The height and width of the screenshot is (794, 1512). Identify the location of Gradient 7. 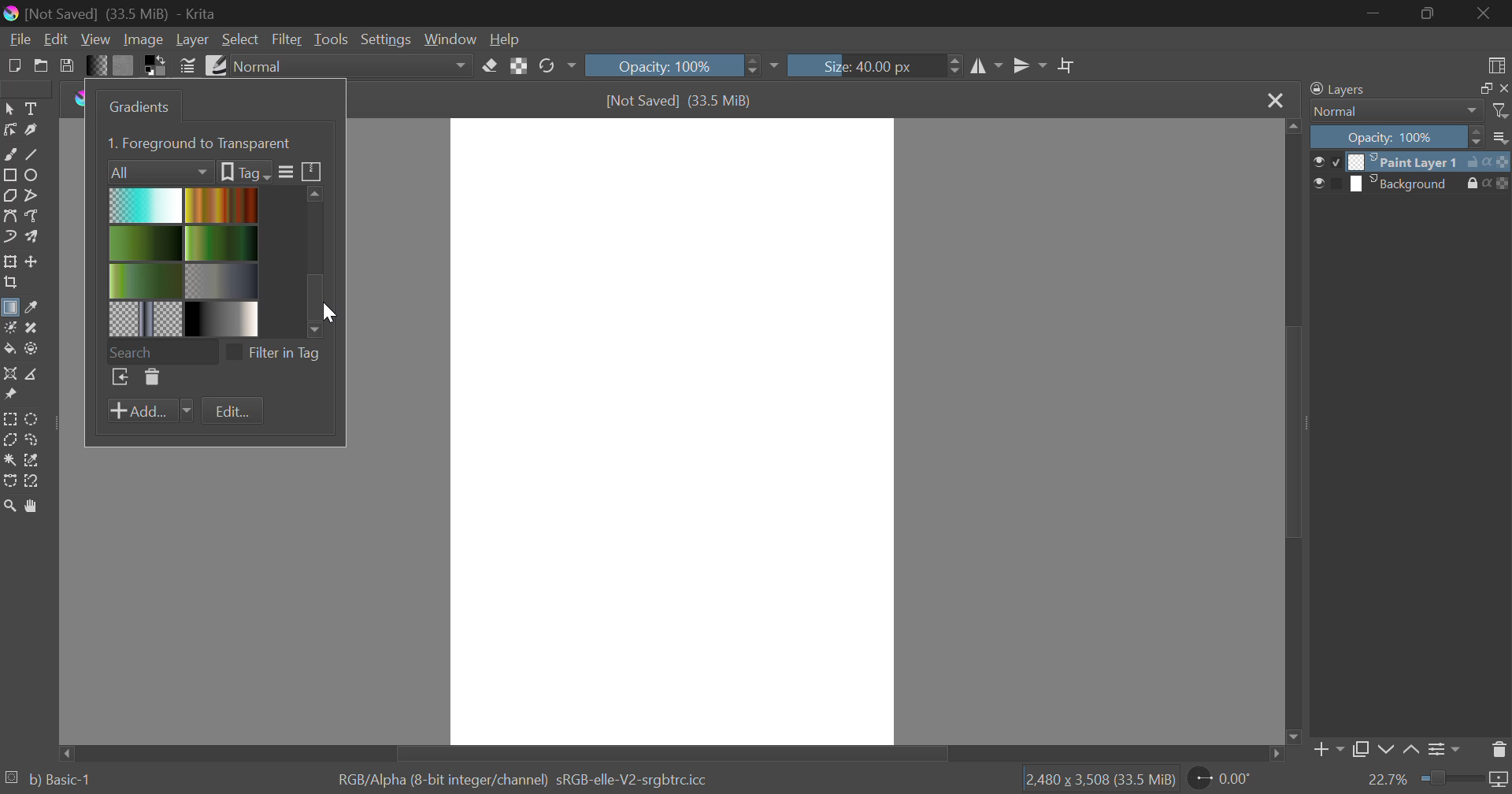
(146, 318).